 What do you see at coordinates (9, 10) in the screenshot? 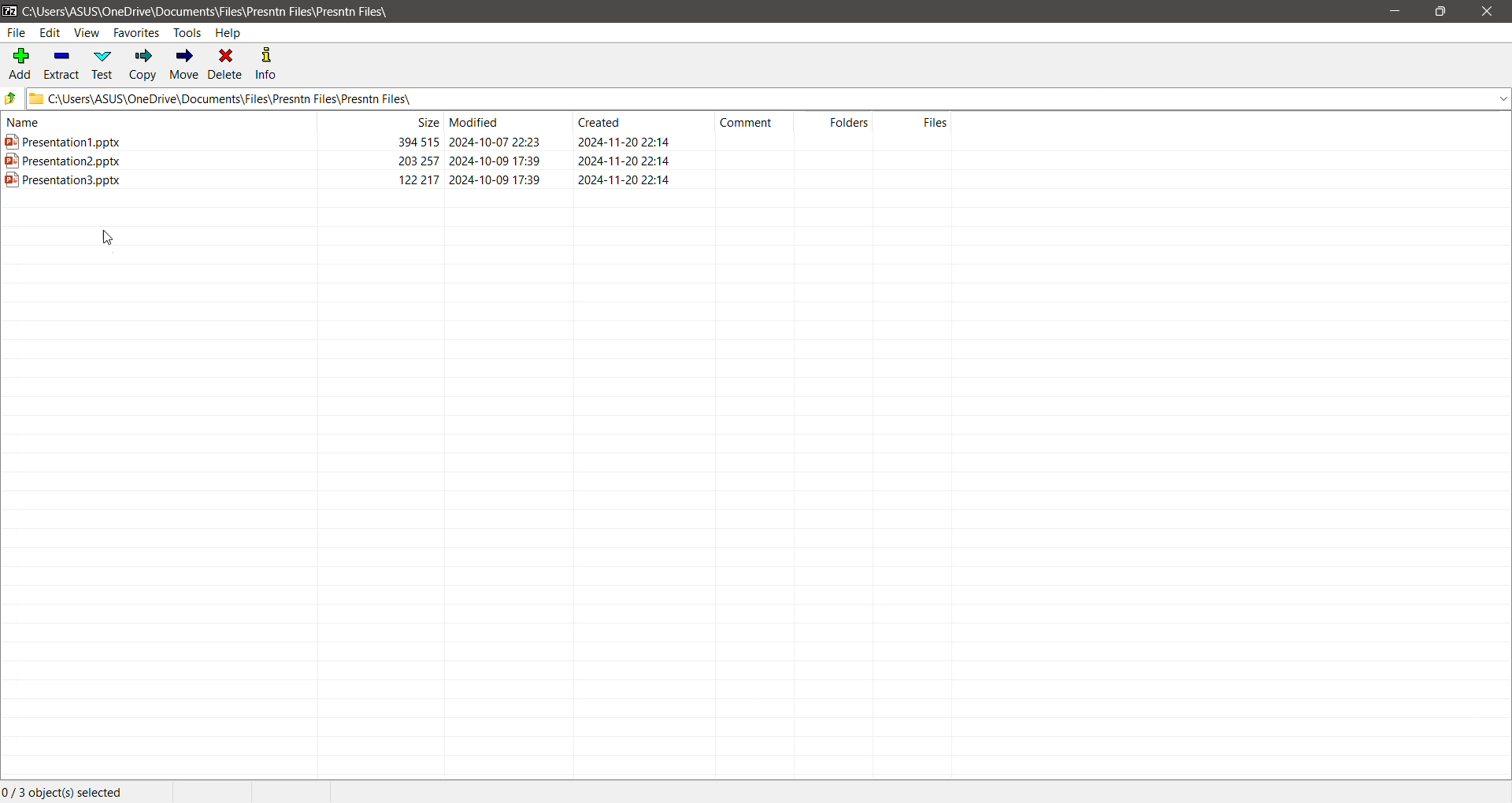
I see `Application Logo` at bounding box center [9, 10].